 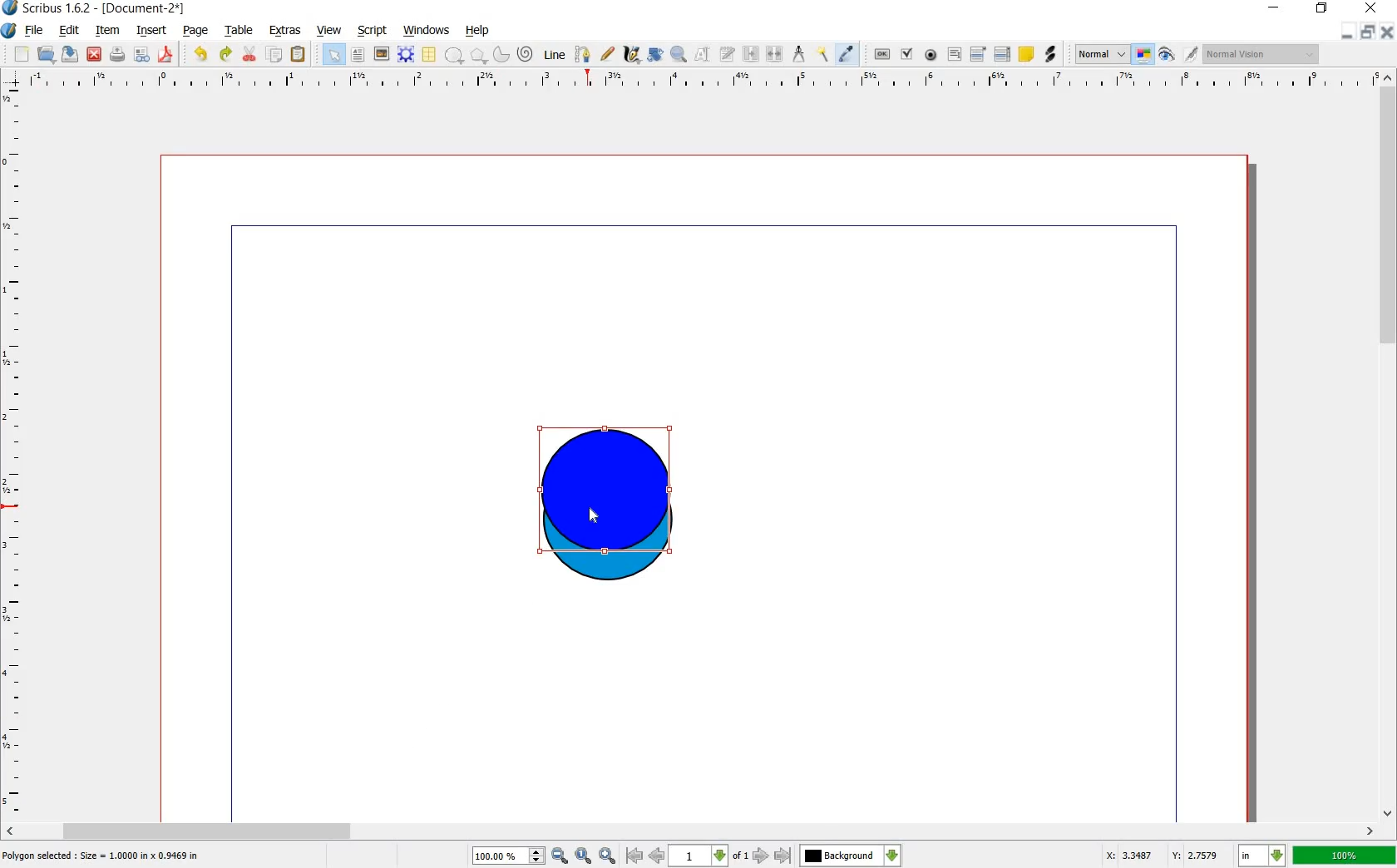 I want to click on text annotation, so click(x=1028, y=55).